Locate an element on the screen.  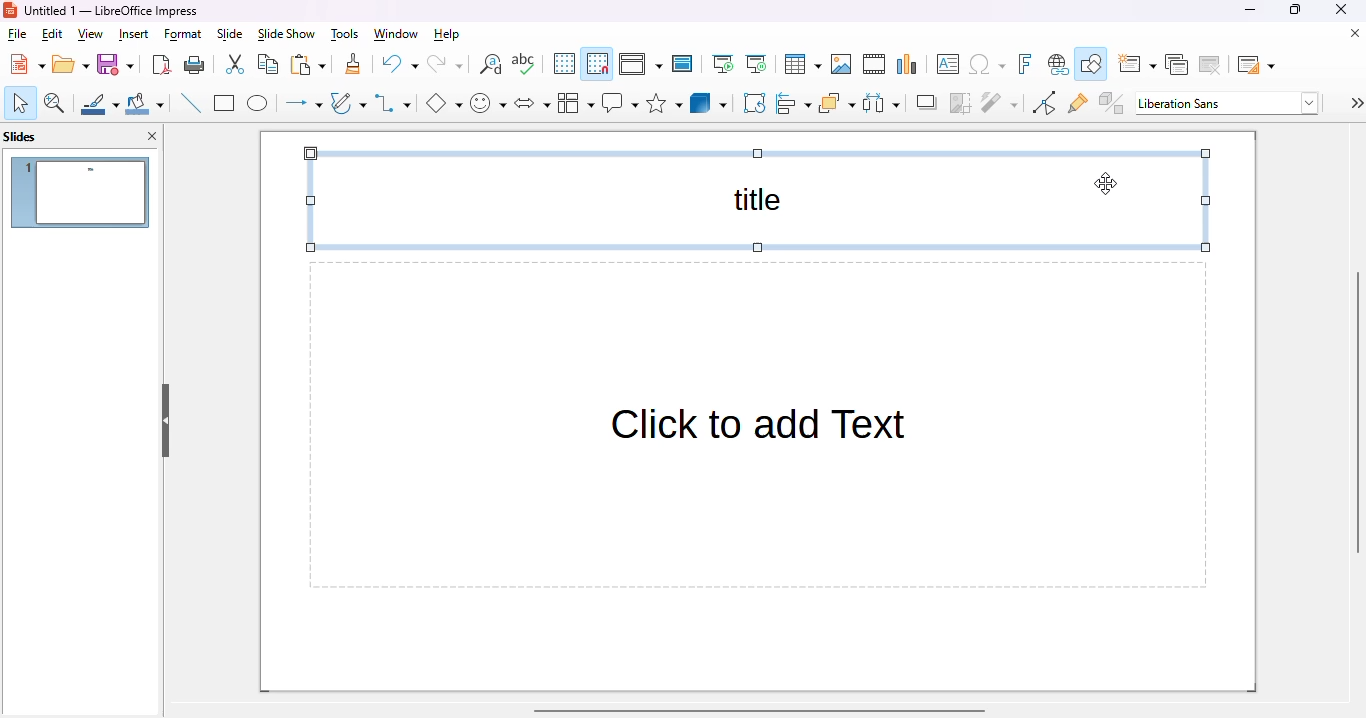
callout shapes is located at coordinates (620, 103).